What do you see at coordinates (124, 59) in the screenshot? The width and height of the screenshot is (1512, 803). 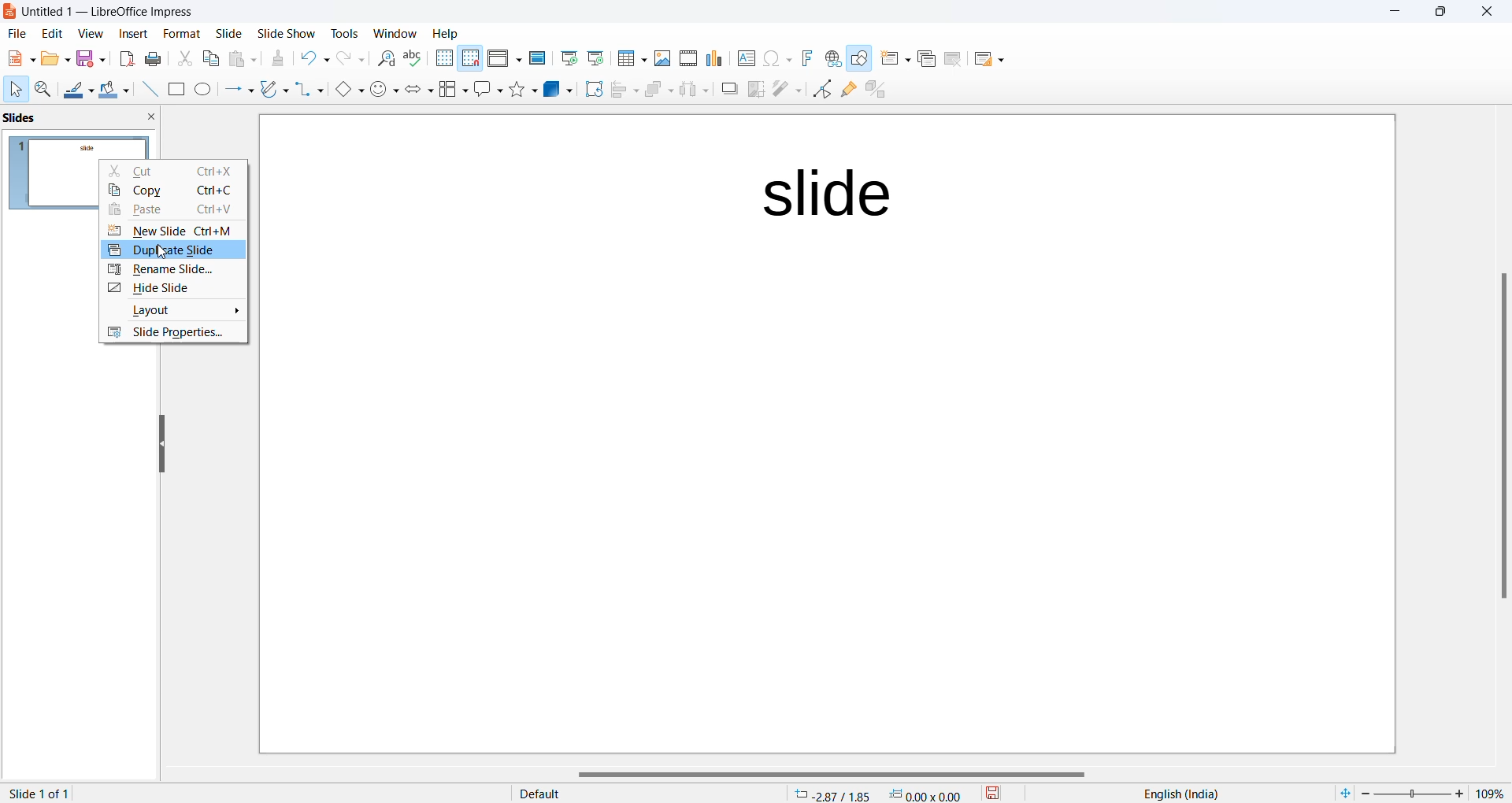 I see `Export as PDF` at bounding box center [124, 59].